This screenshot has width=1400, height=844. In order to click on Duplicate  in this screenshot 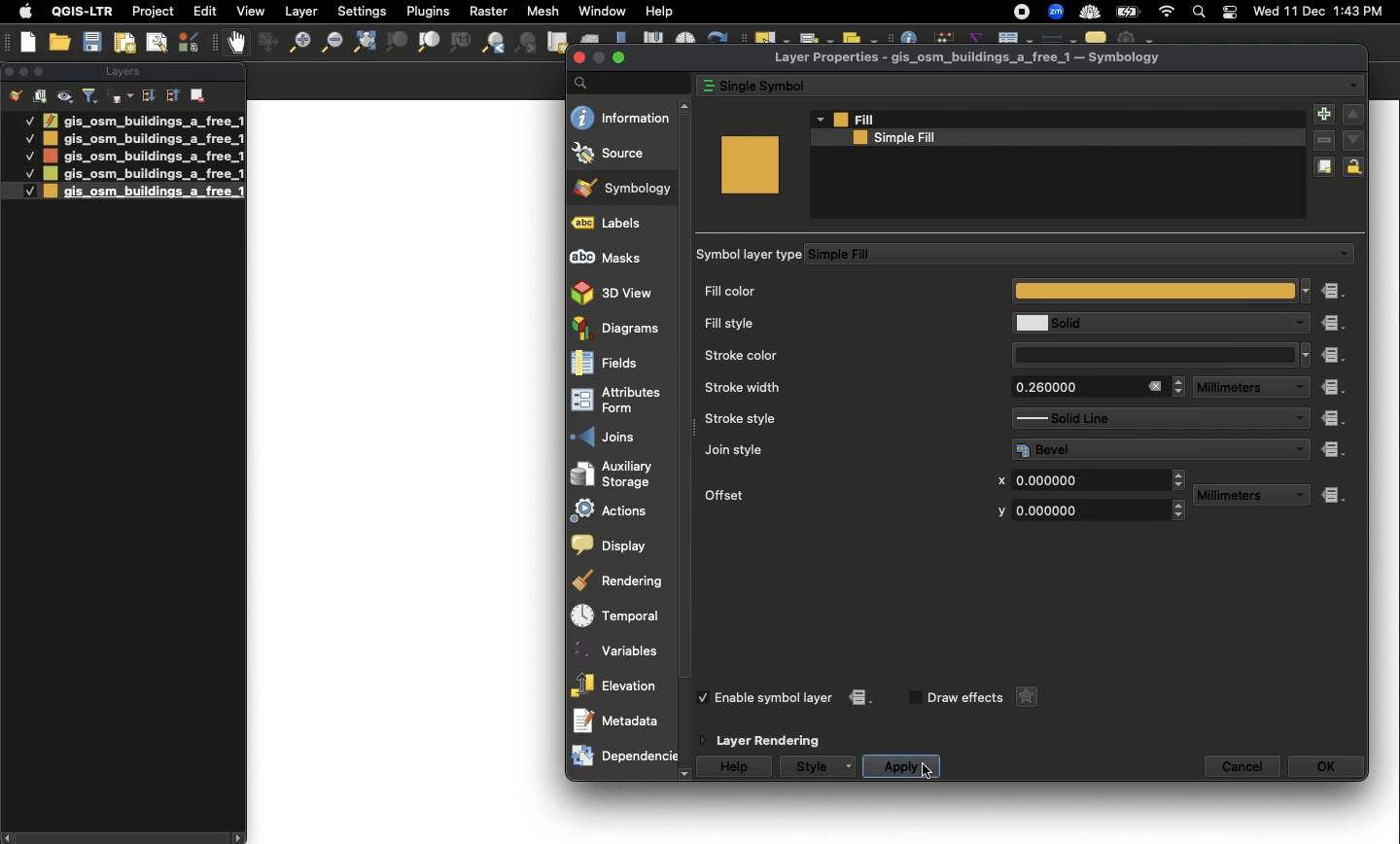, I will do `click(1324, 168)`.